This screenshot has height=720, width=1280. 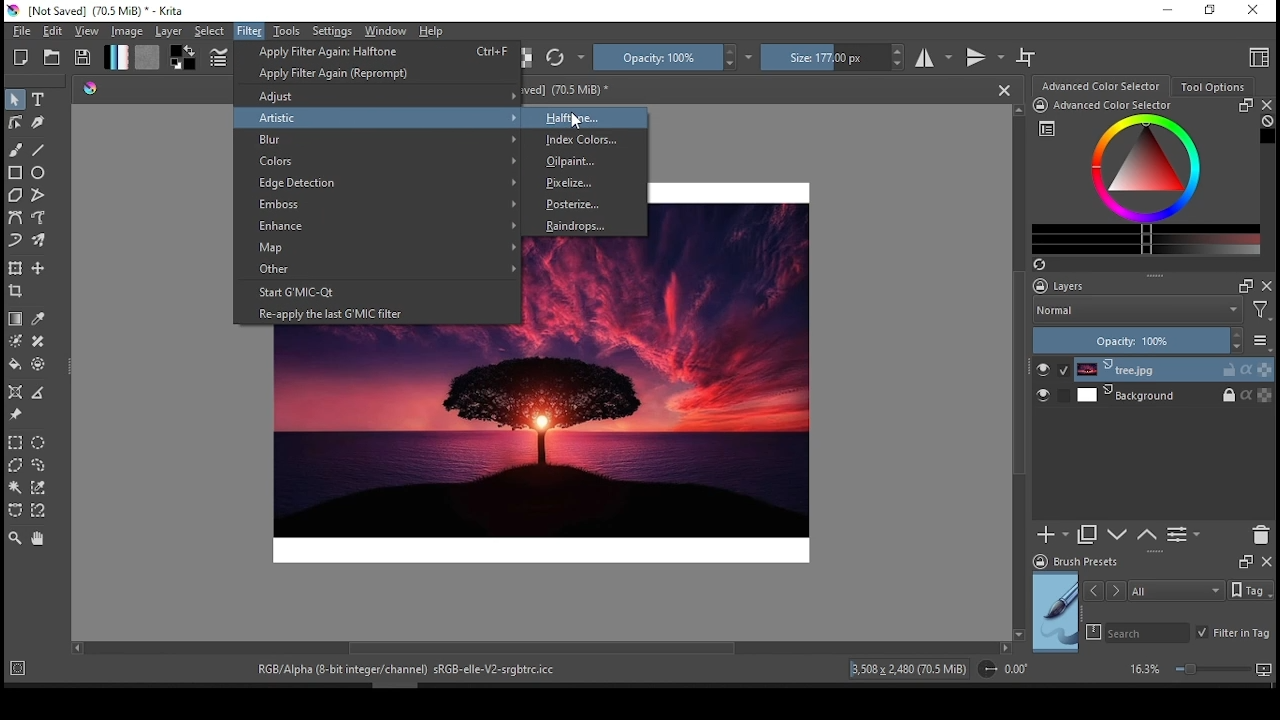 What do you see at coordinates (286, 31) in the screenshot?
I see `tools` at bounding box center [286, 31].